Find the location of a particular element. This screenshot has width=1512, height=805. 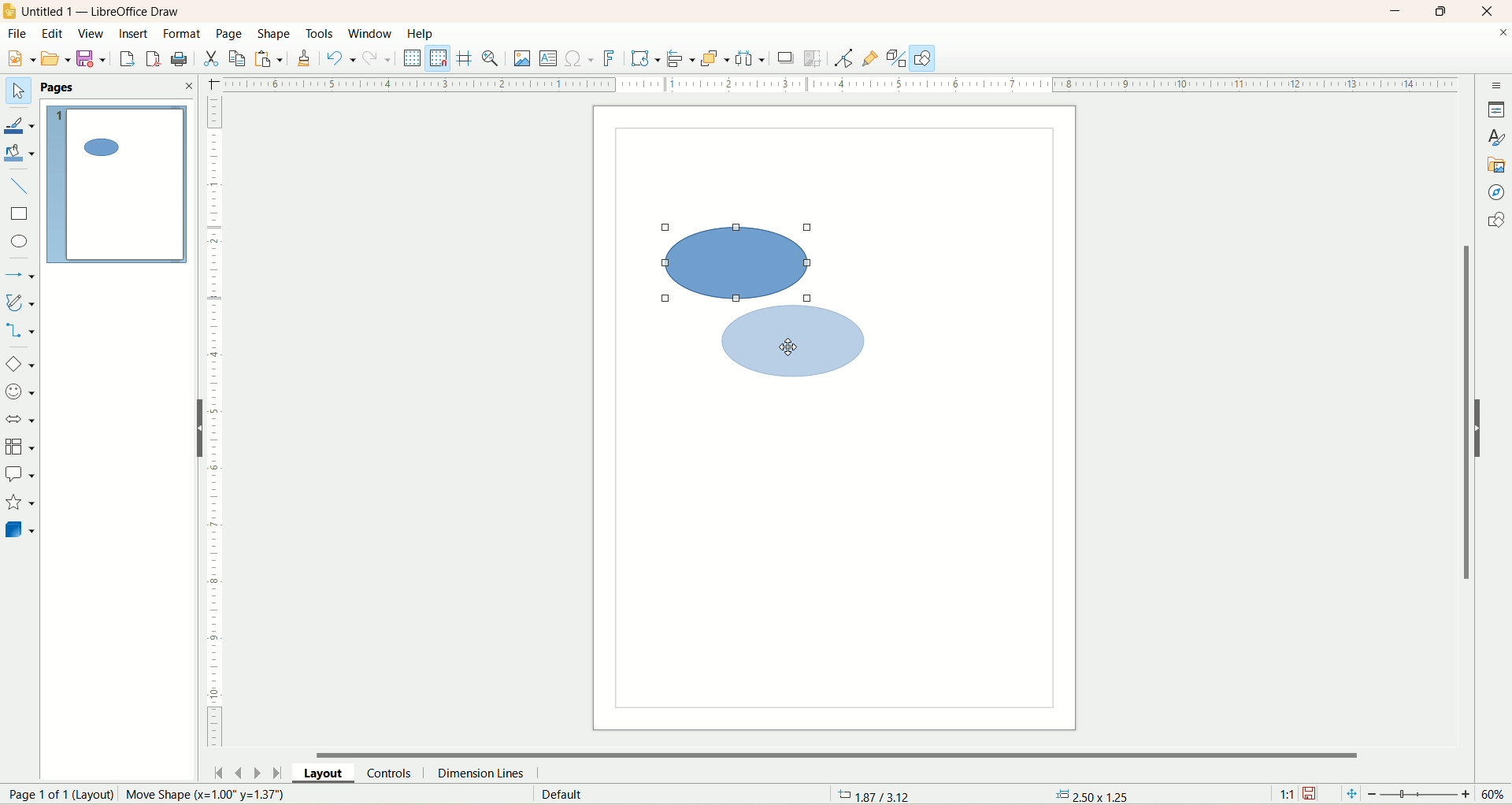

pages is located at coordinates (61, 87).